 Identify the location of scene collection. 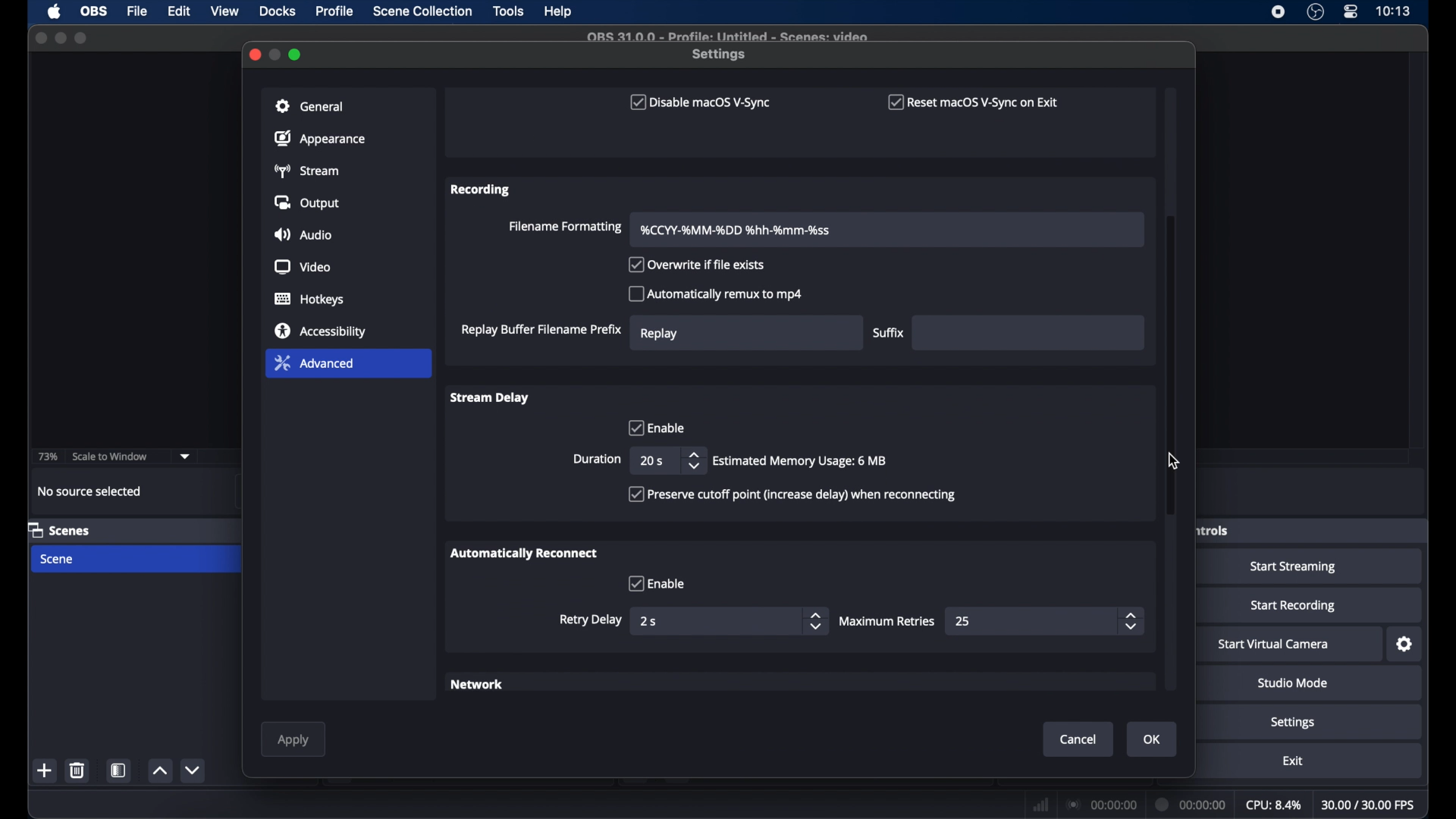
(424, 11).